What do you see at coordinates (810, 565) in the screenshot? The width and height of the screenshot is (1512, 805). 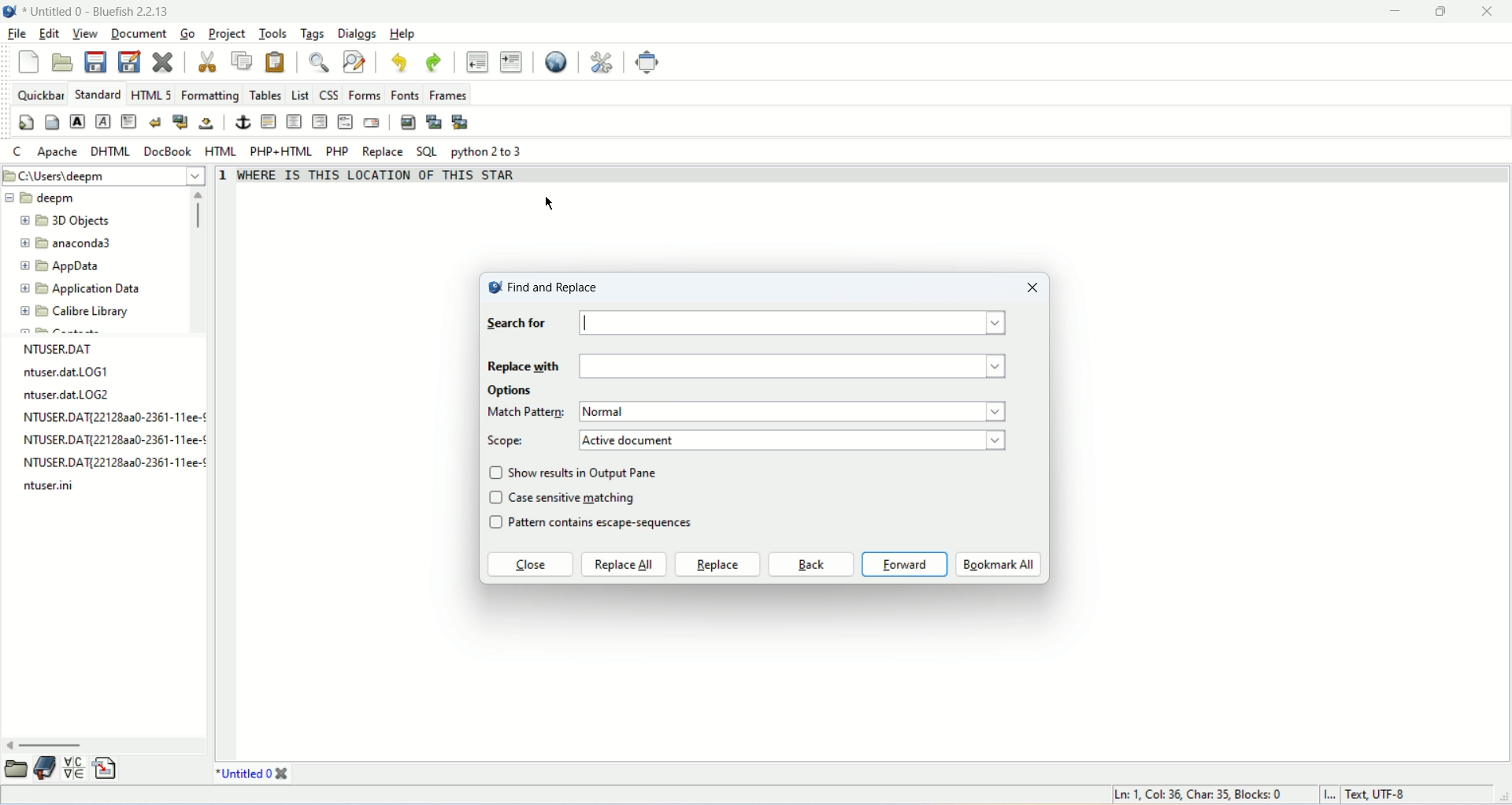 I see `back` at bounding box center [810, 565].